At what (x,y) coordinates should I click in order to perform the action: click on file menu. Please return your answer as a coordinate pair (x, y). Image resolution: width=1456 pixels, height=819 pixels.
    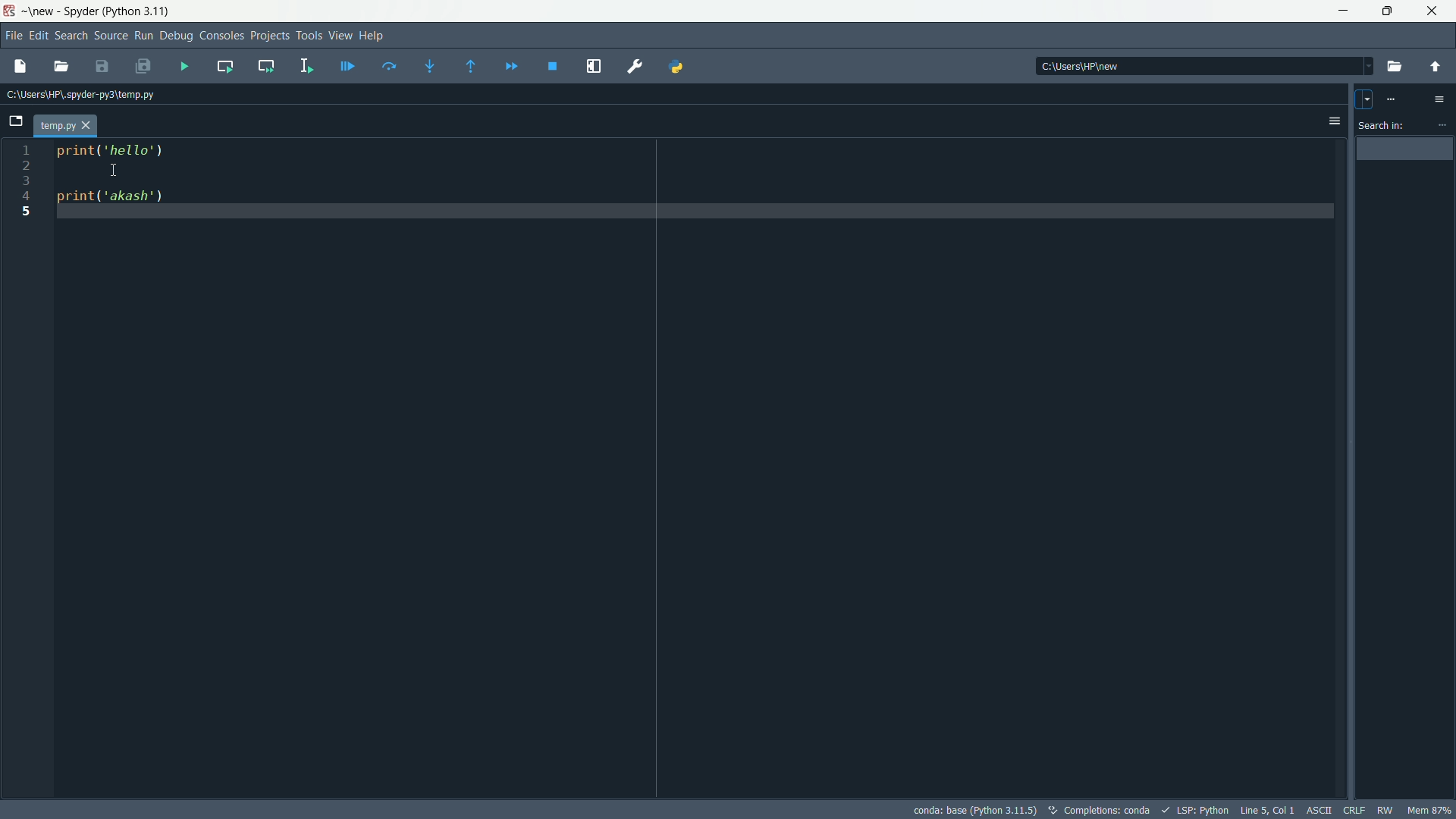
    Looking at the image, I should click on (12, 35).